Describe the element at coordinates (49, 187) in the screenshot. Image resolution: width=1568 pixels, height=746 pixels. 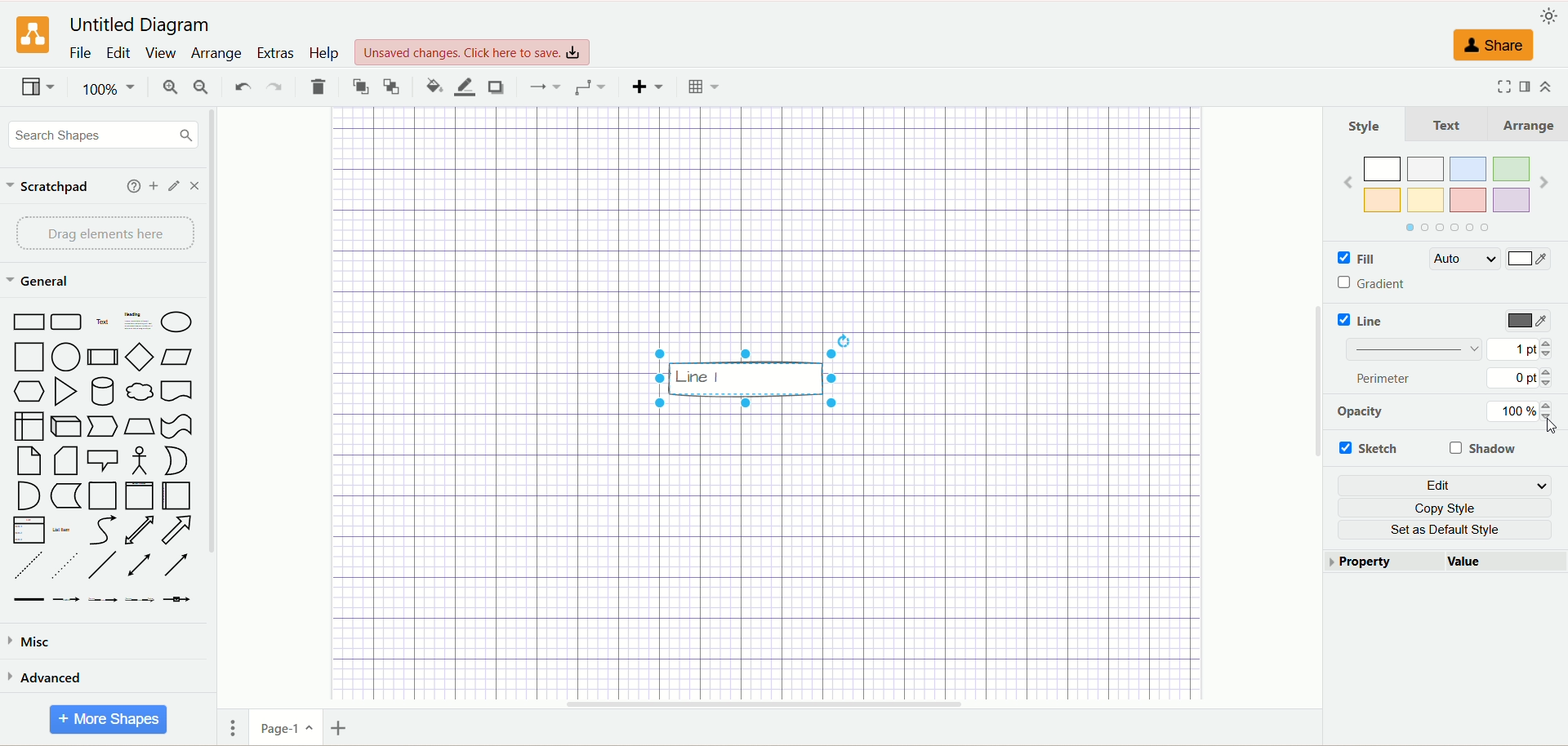
I see `scratchpad` at that location.